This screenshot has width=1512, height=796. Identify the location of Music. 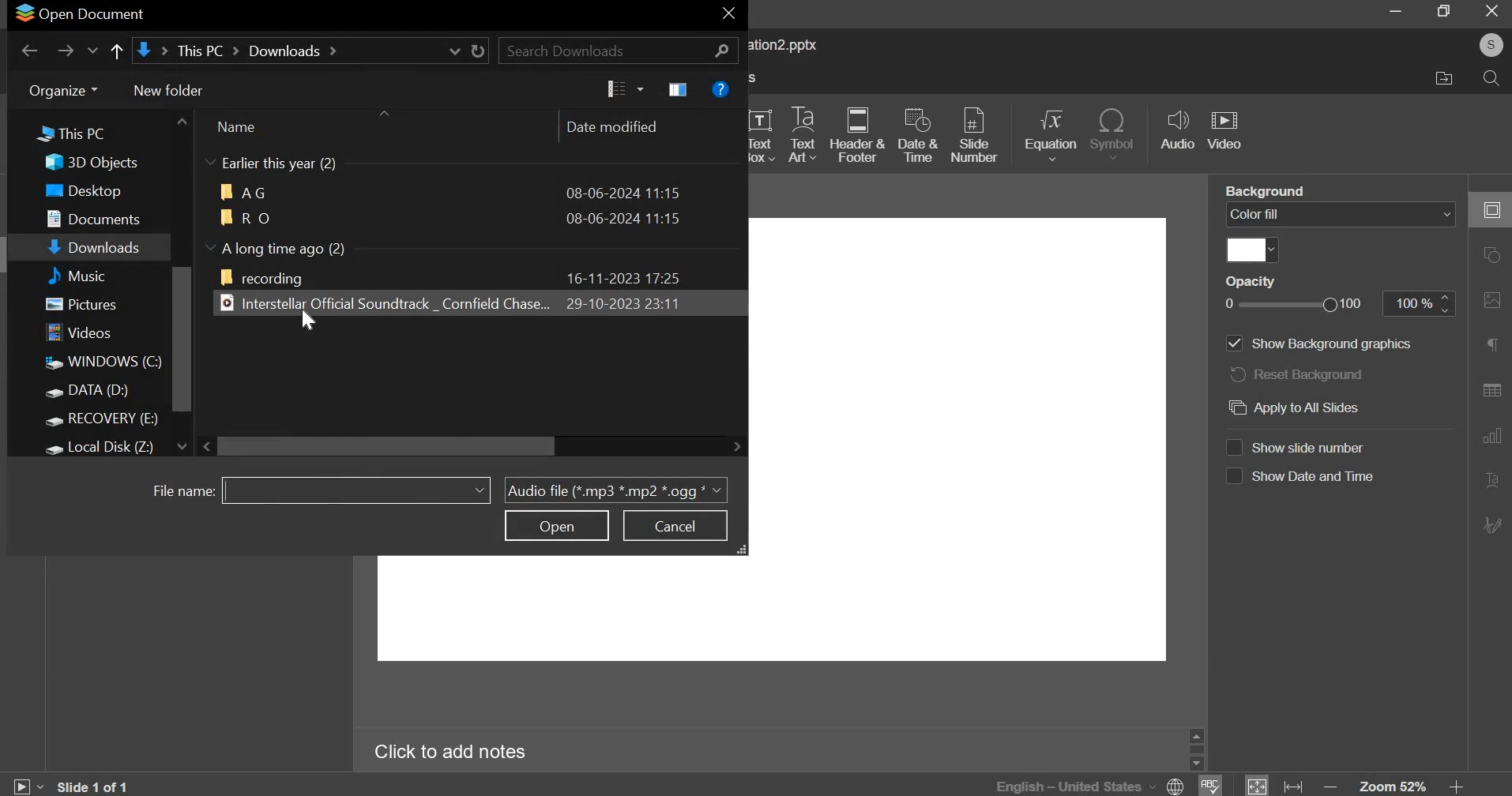
(90, 276).